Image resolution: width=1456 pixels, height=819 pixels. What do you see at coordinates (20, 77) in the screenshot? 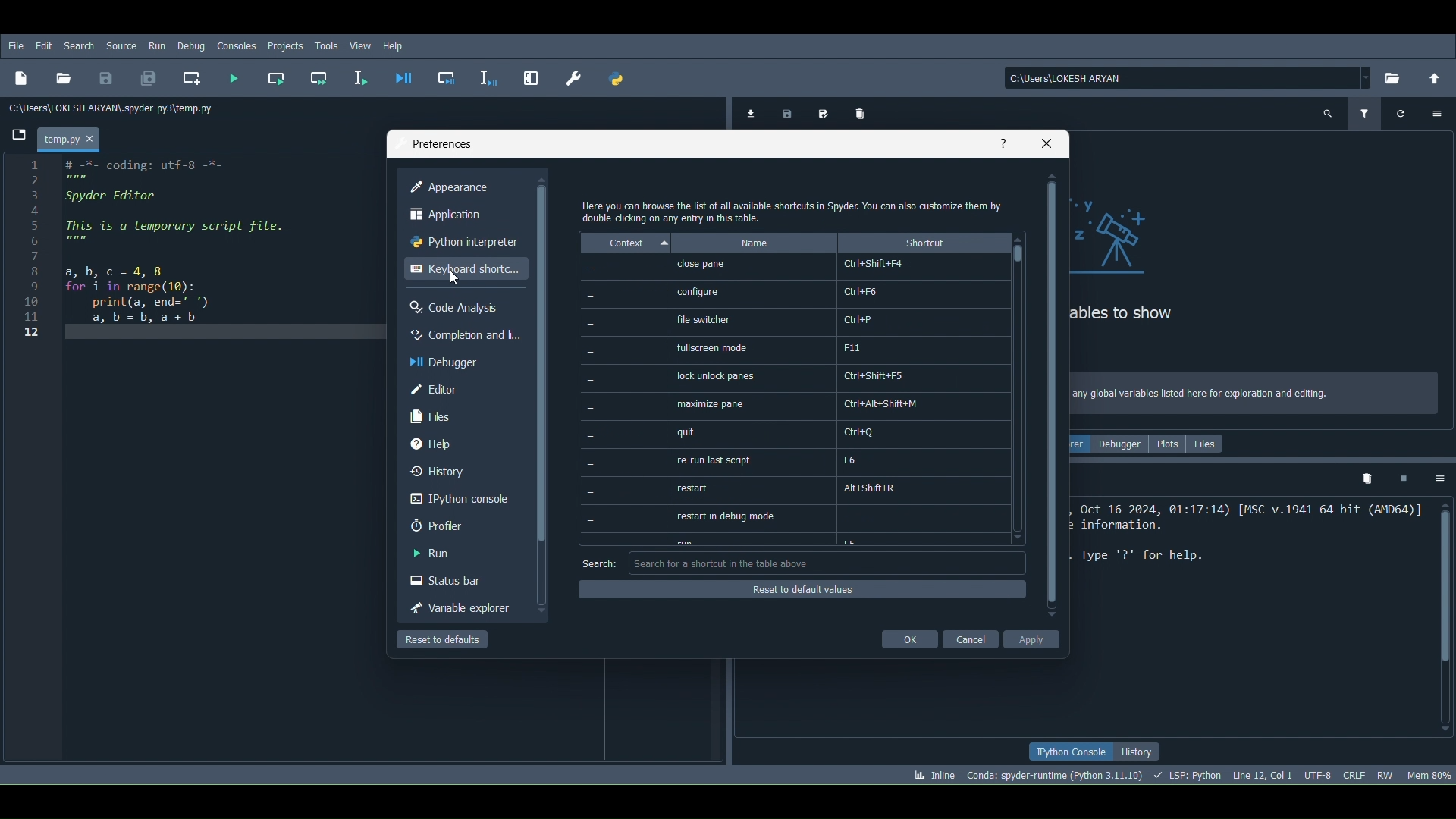
I see `New file (Ctrl + N)` at bounding box center [20, 77].